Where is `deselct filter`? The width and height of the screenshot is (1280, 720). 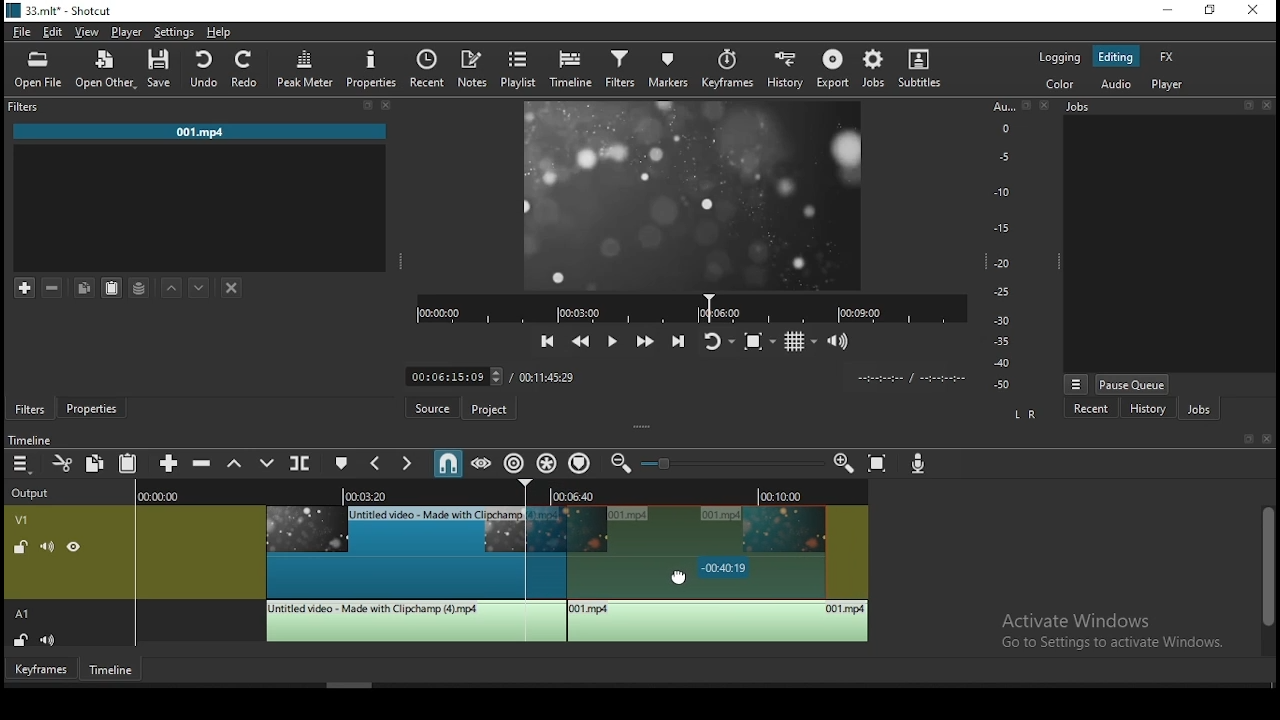
deselct filter is located at coordinates (232, 287).